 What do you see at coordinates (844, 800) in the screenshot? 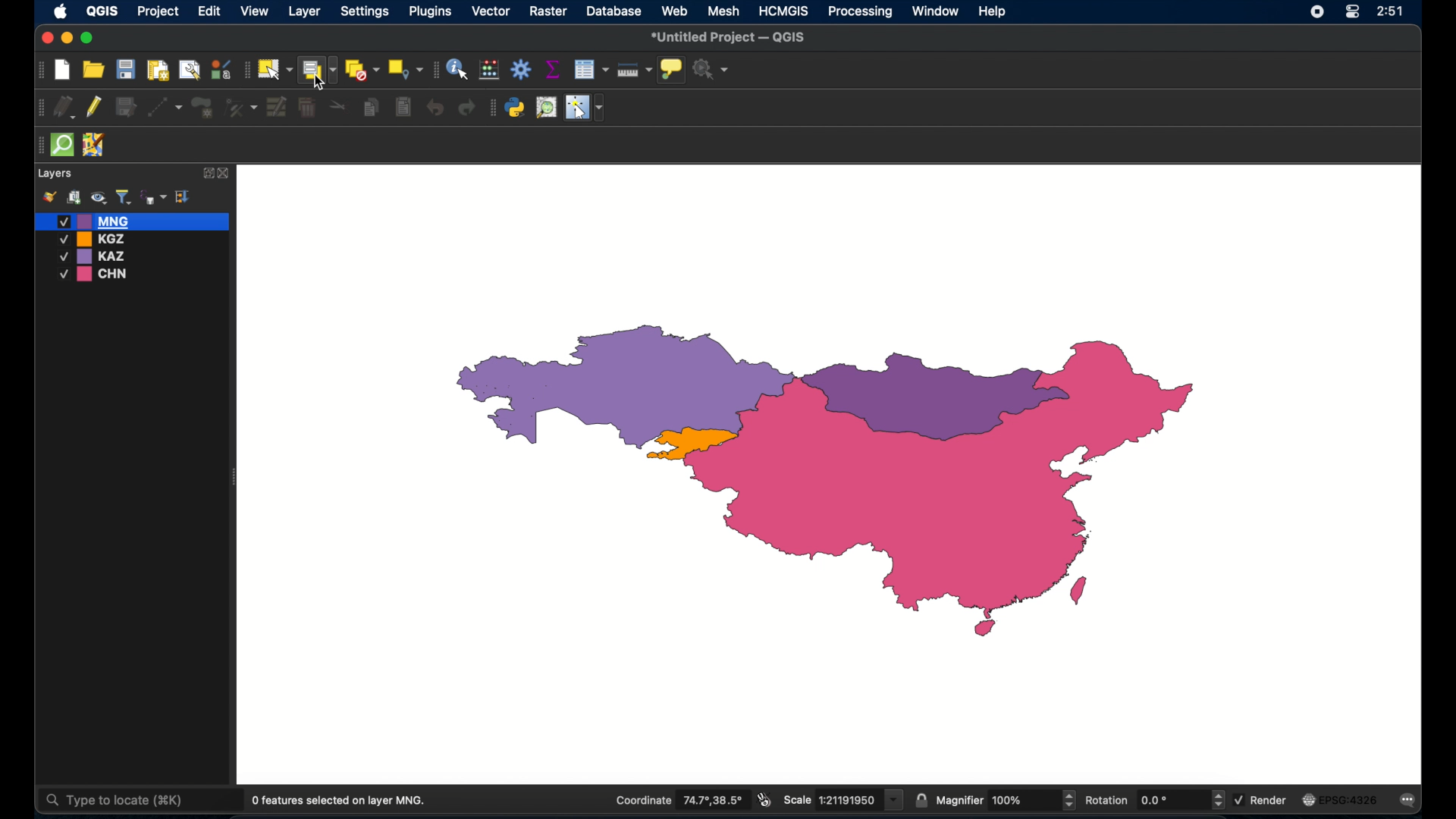
I see `scale 1:21191950` at bounding box center [844, 800].